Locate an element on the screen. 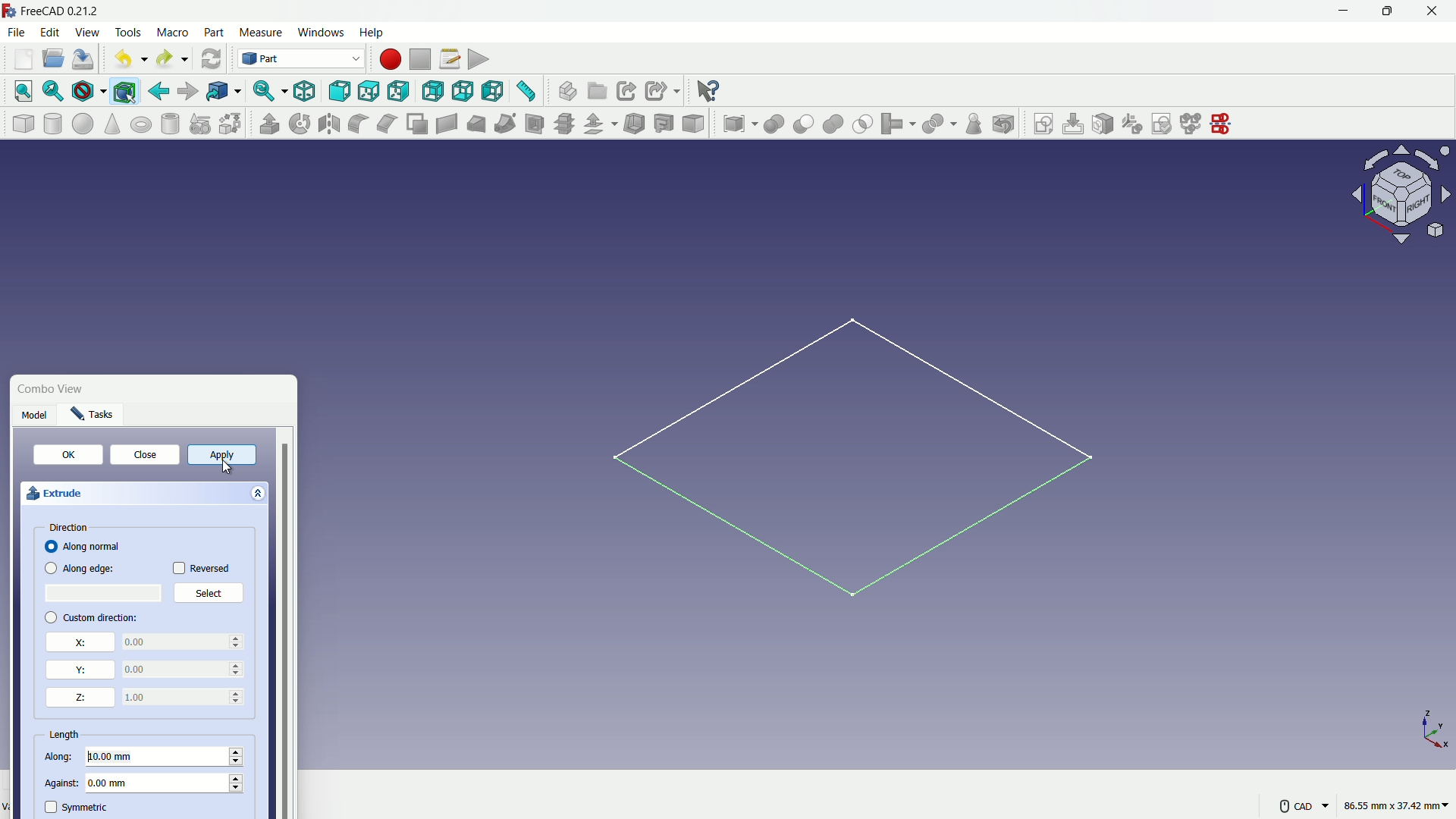 This screenshot has height=819, width=1456. merge sketch is located at coordinates (1191, 123).